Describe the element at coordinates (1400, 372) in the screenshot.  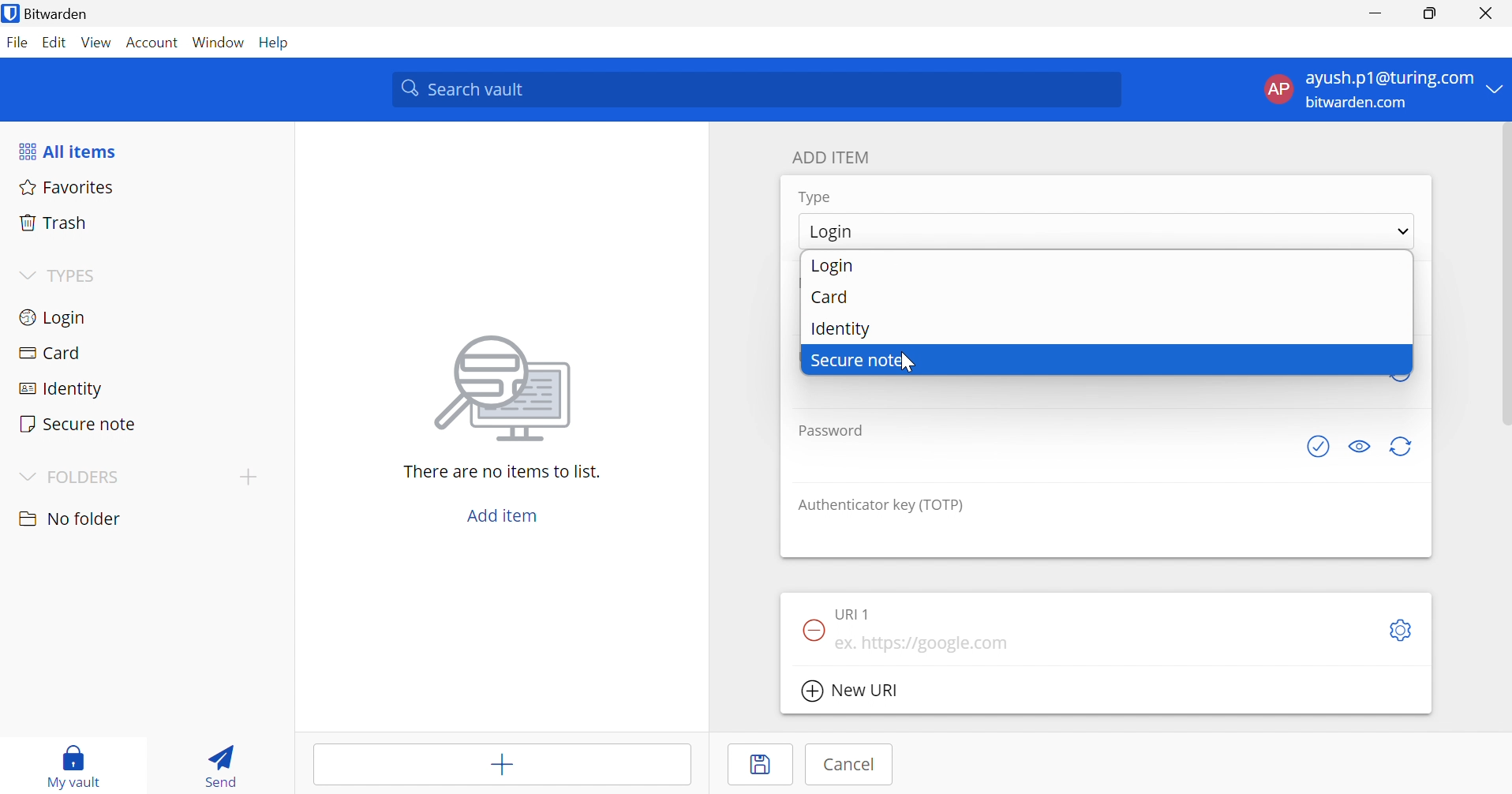
I see `Generate username` at that location.